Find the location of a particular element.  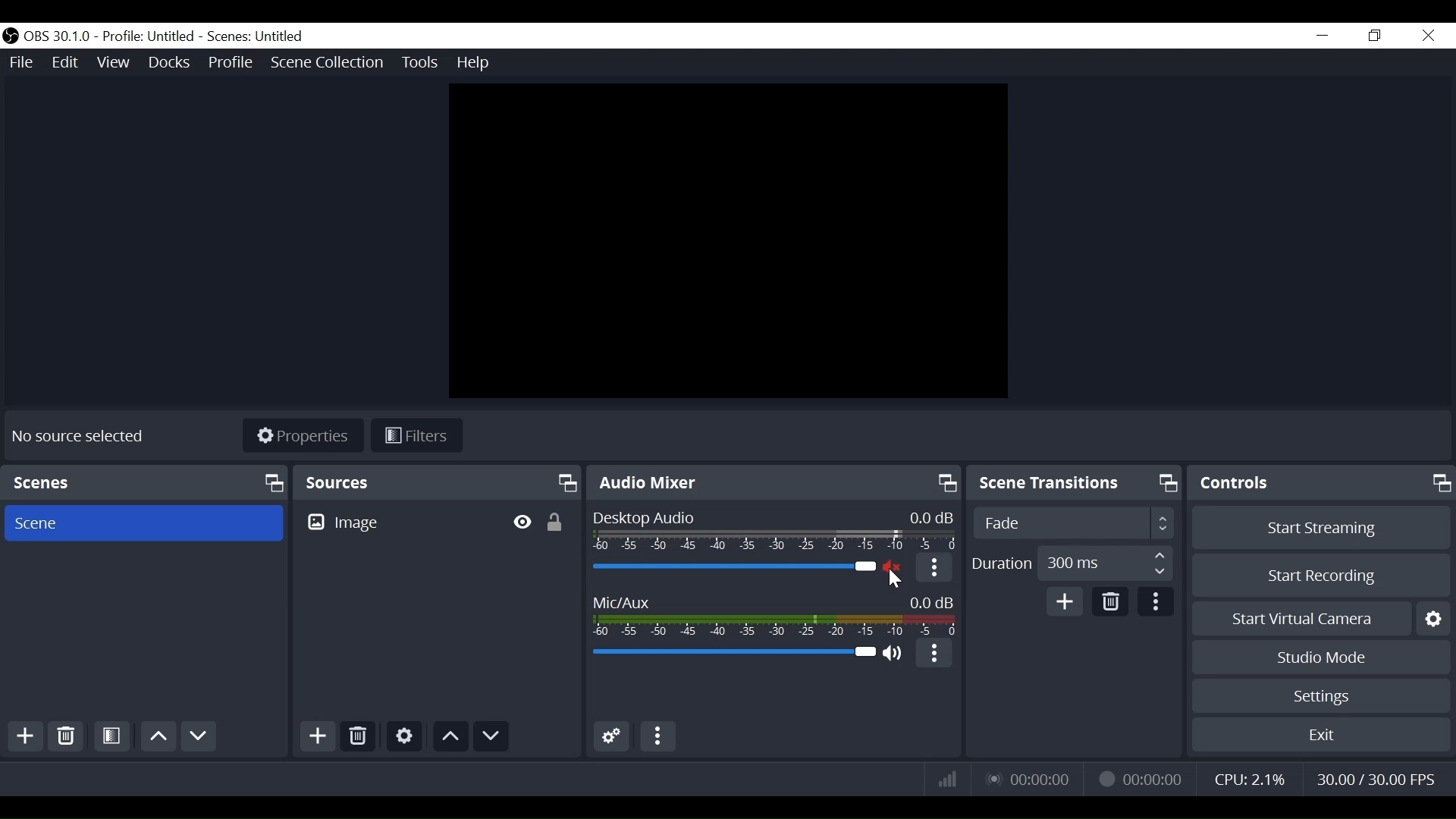

File is located at coordinates (24, 65).